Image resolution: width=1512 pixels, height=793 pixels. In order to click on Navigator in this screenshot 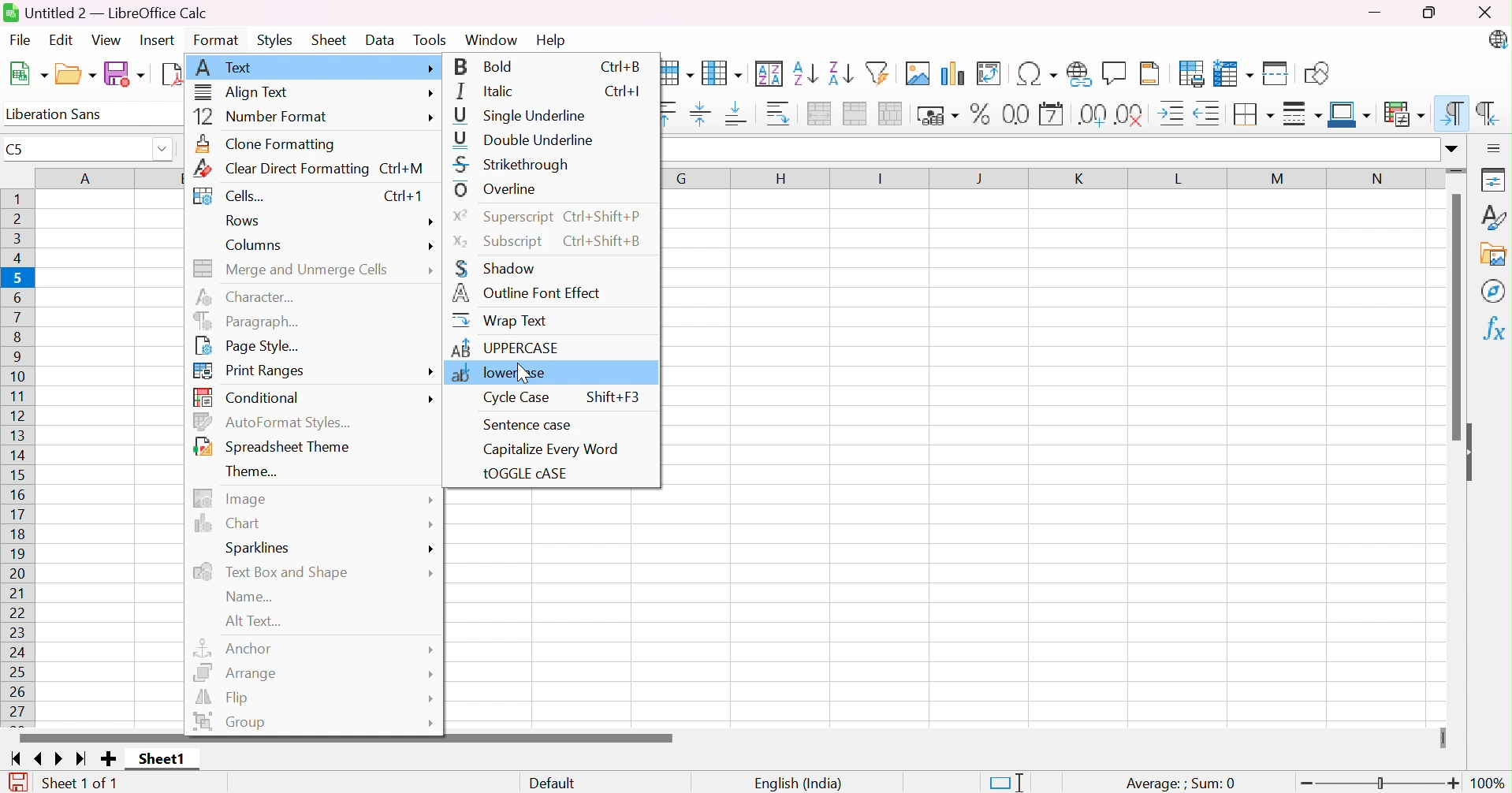, I will do `click(1496, 289)`.